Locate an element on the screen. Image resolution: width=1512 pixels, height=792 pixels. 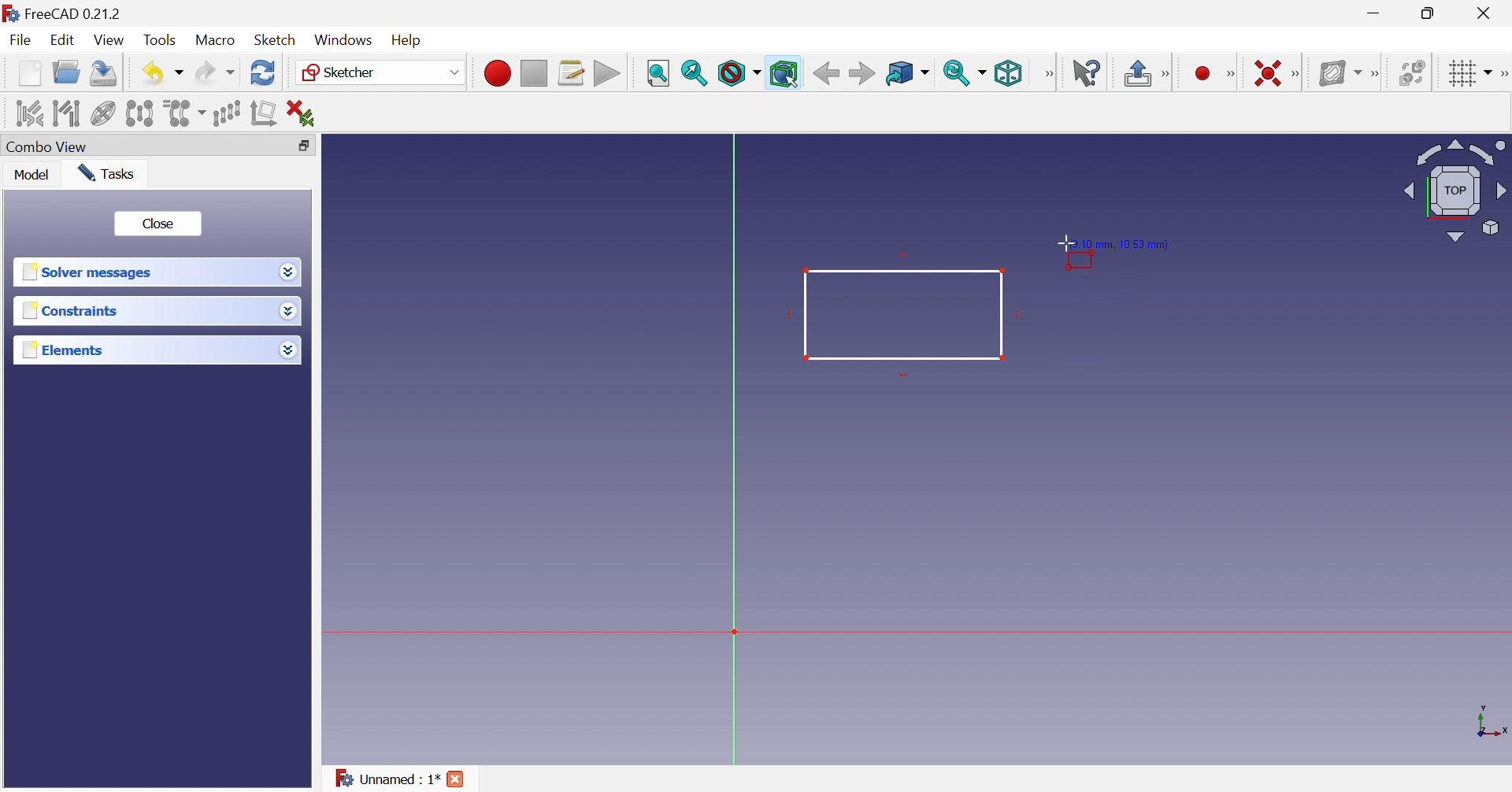
Edit is located at coordinates (62, 41).